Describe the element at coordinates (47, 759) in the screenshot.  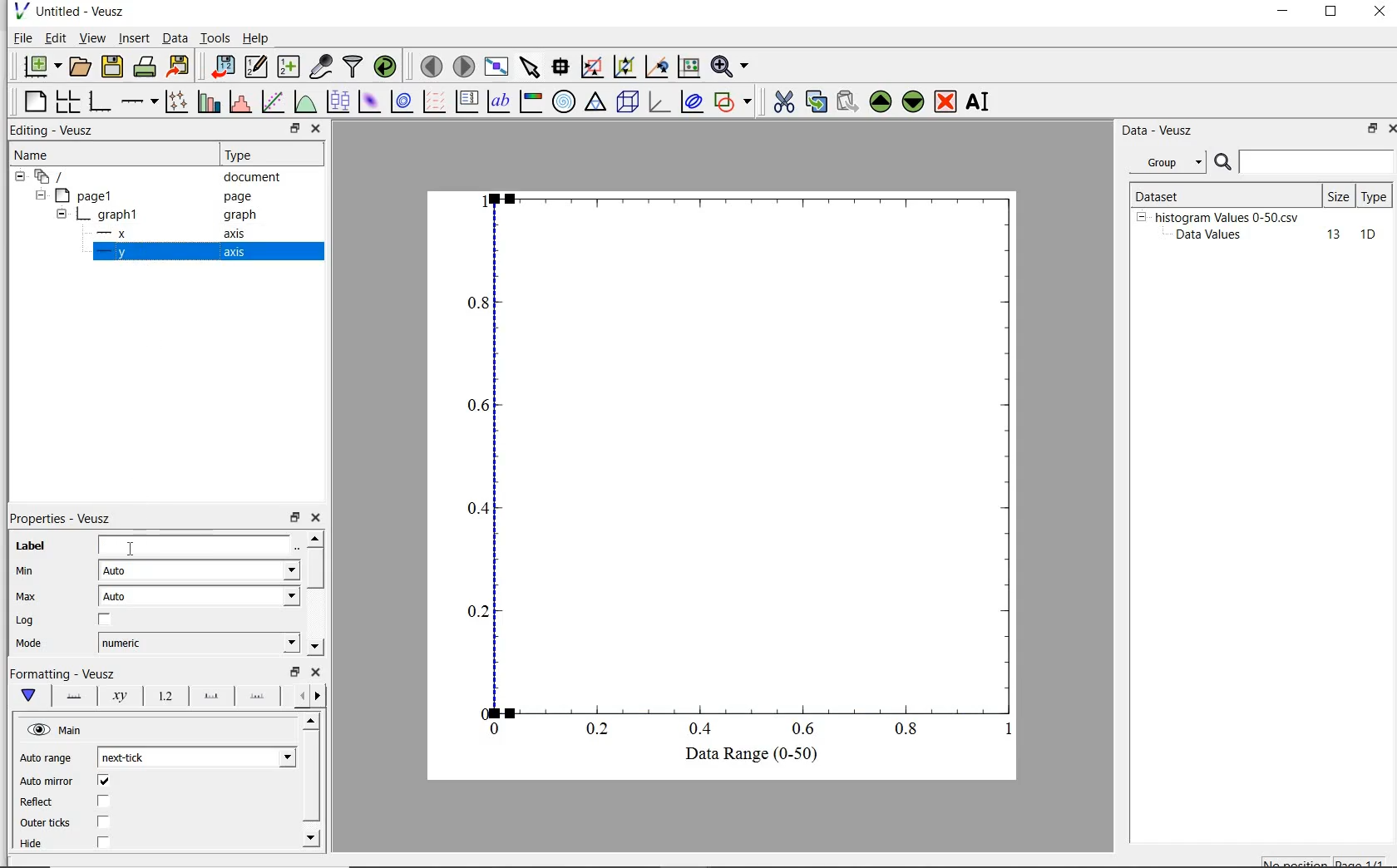
I see ` Auto range` at that location.